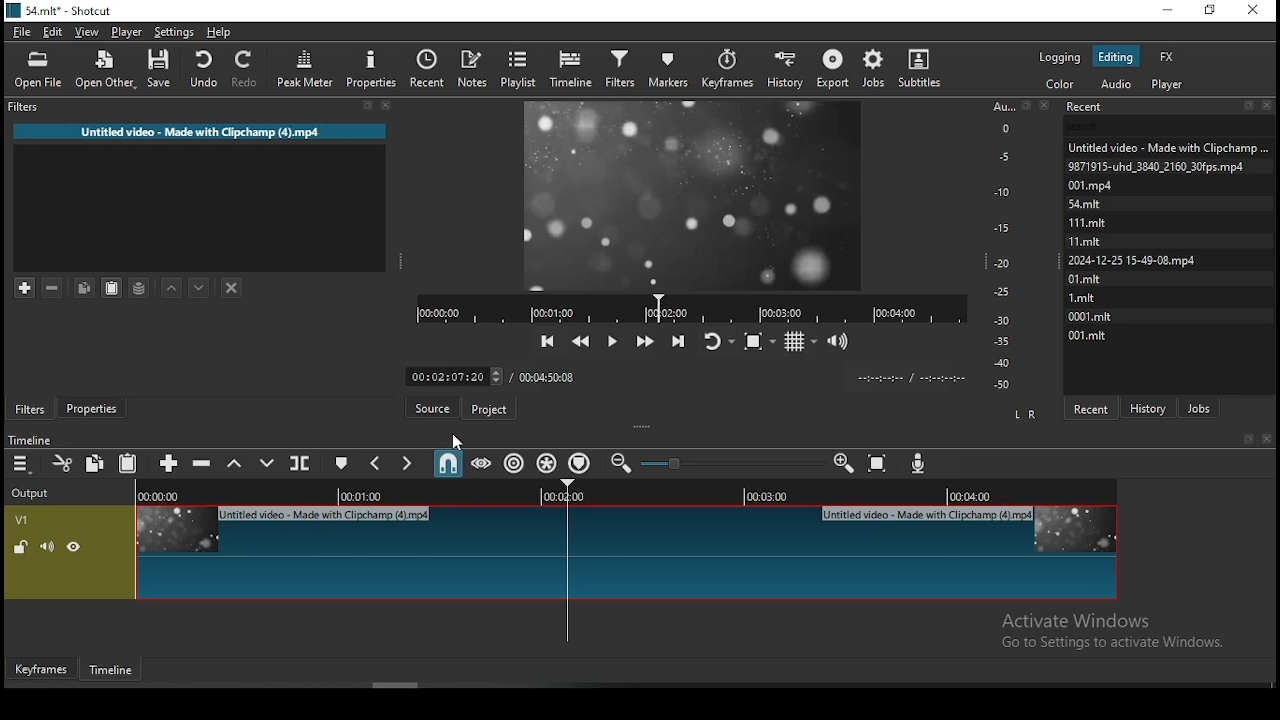 The image size is (1280, 720). What do you see at coordinates (434, 409) in the screenshot?
I see `source` at bounding box center [434, 409].